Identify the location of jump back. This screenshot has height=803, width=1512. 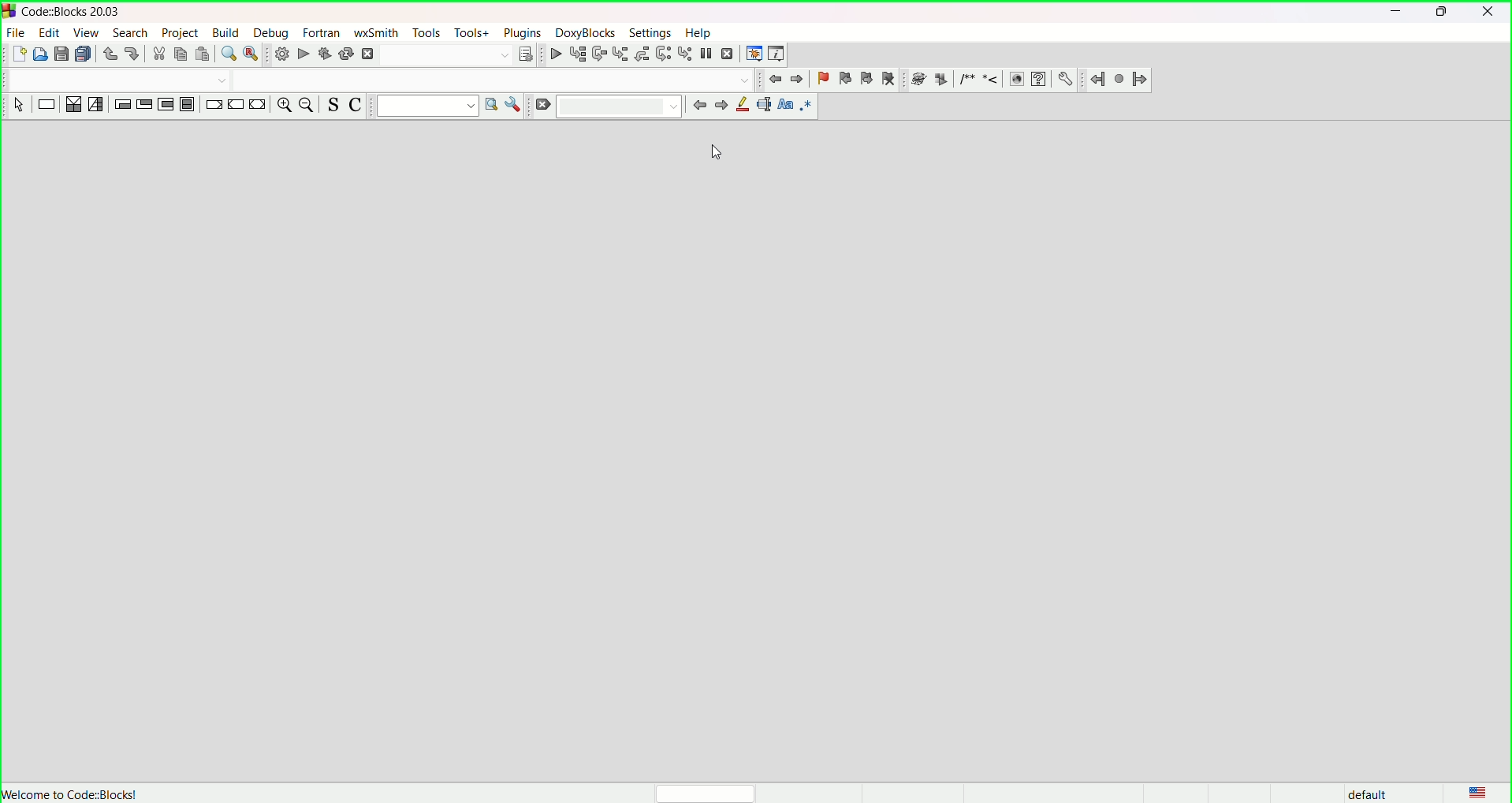
(1097, 80).